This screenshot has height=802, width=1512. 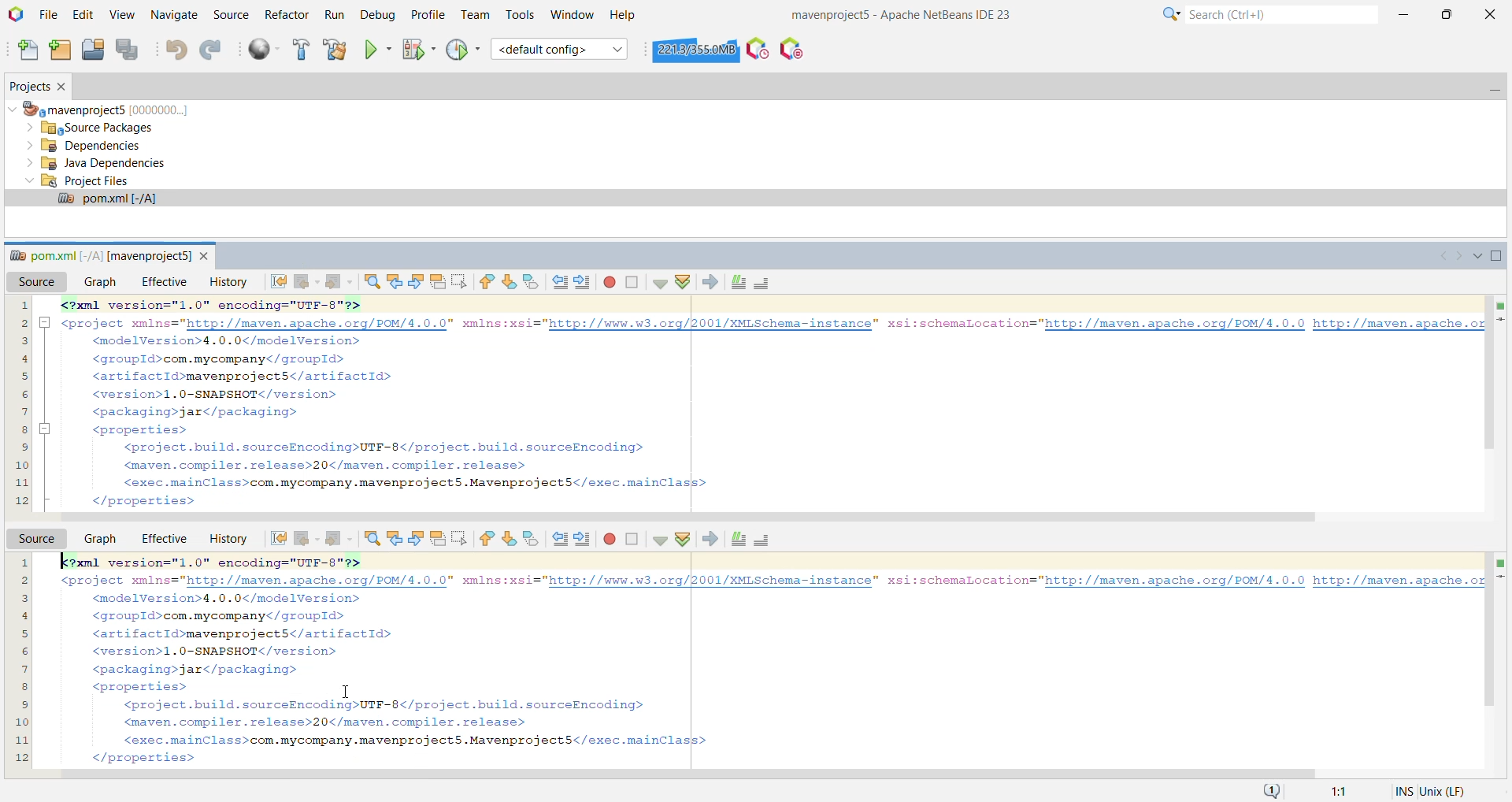 What do you see at coordinates (710, 540) in the screenshot?
I see `XSL Transformation` at bounding box center [710, 540].